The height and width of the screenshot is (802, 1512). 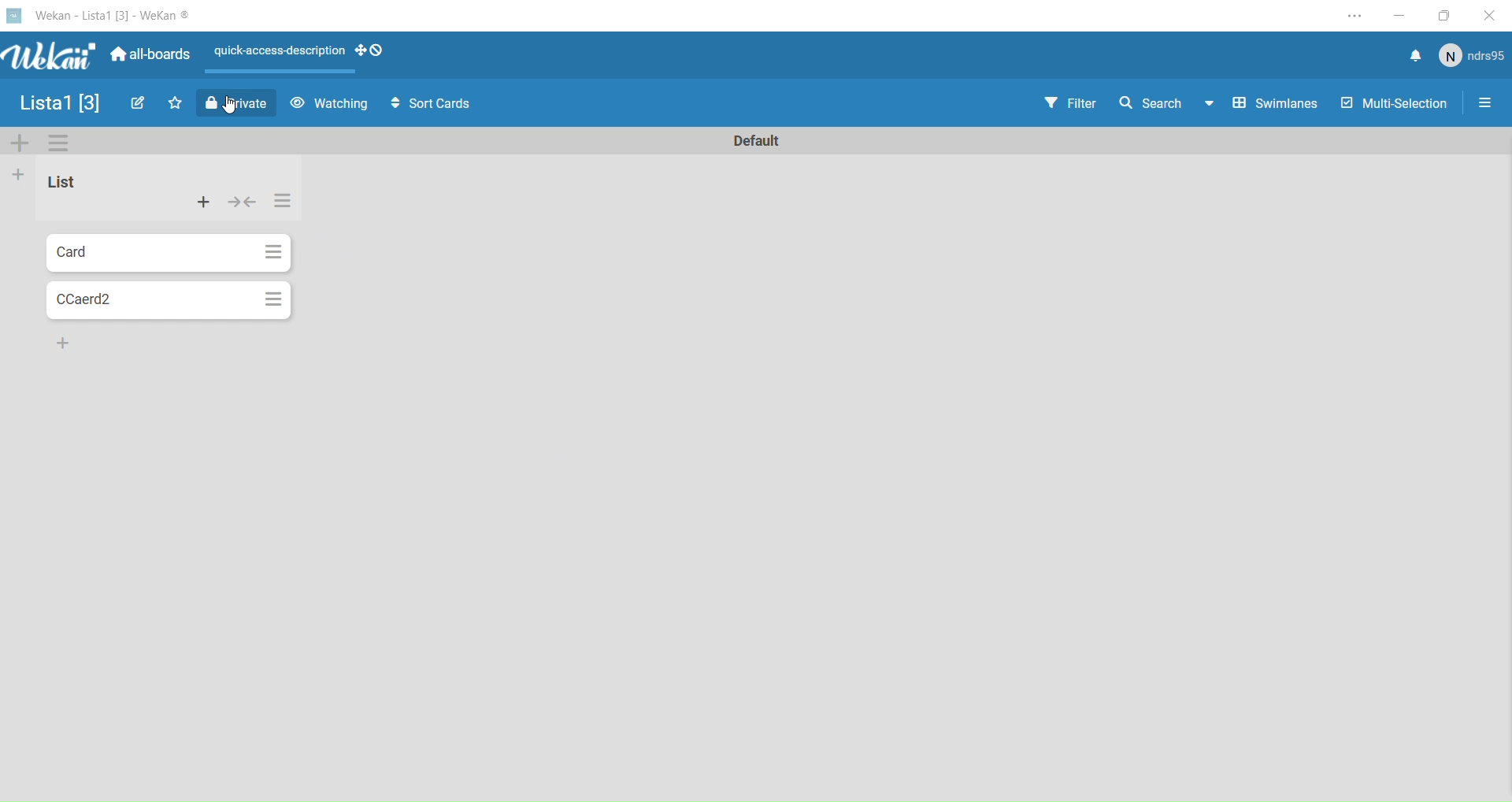 What do you see at coordinates (1469, 56) in the screenshot?
I see `User` at bounding box center [1469, 56].